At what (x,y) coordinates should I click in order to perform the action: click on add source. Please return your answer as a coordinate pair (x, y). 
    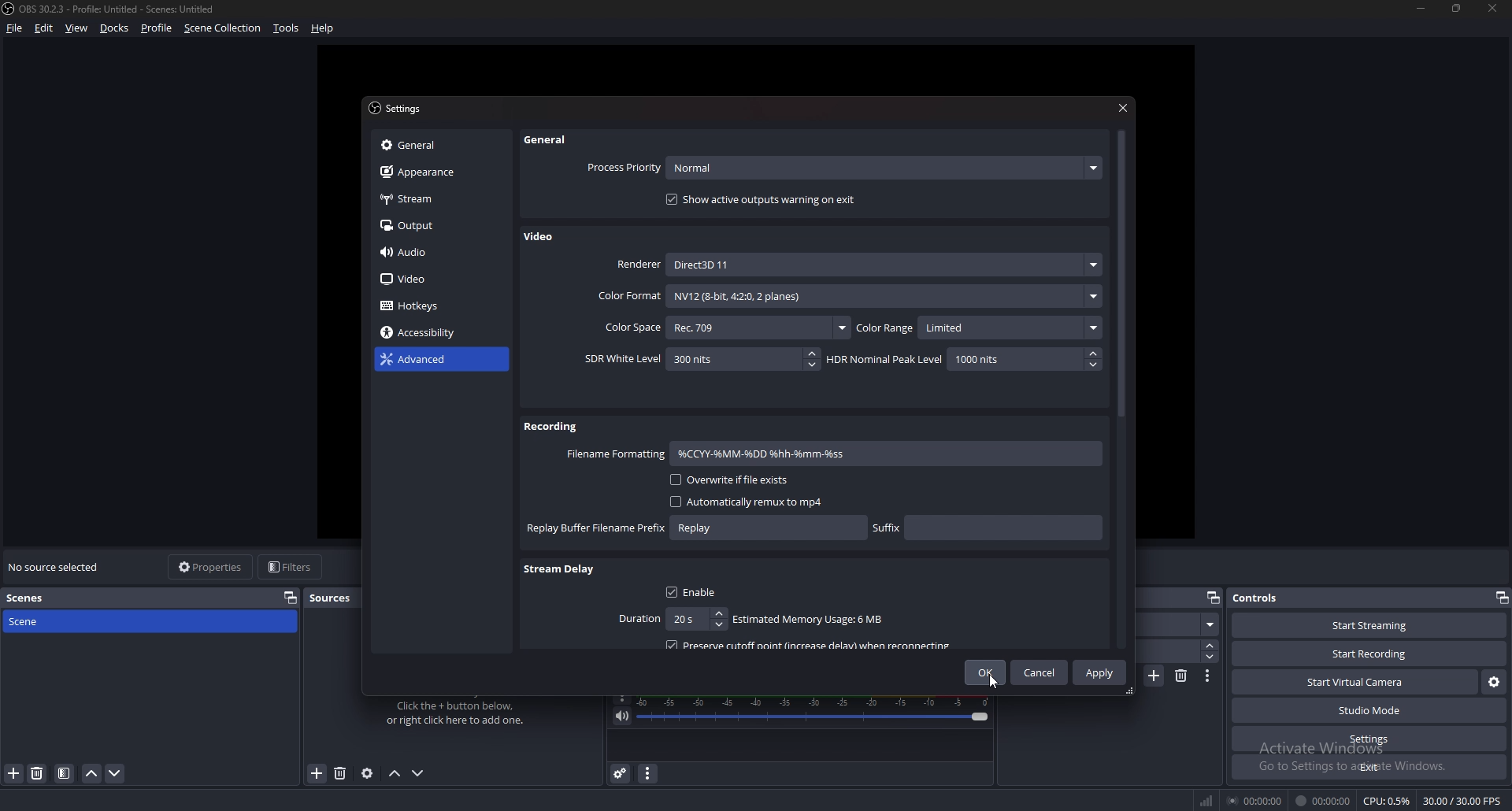
    Looking at the image, I should click on (318, 772).